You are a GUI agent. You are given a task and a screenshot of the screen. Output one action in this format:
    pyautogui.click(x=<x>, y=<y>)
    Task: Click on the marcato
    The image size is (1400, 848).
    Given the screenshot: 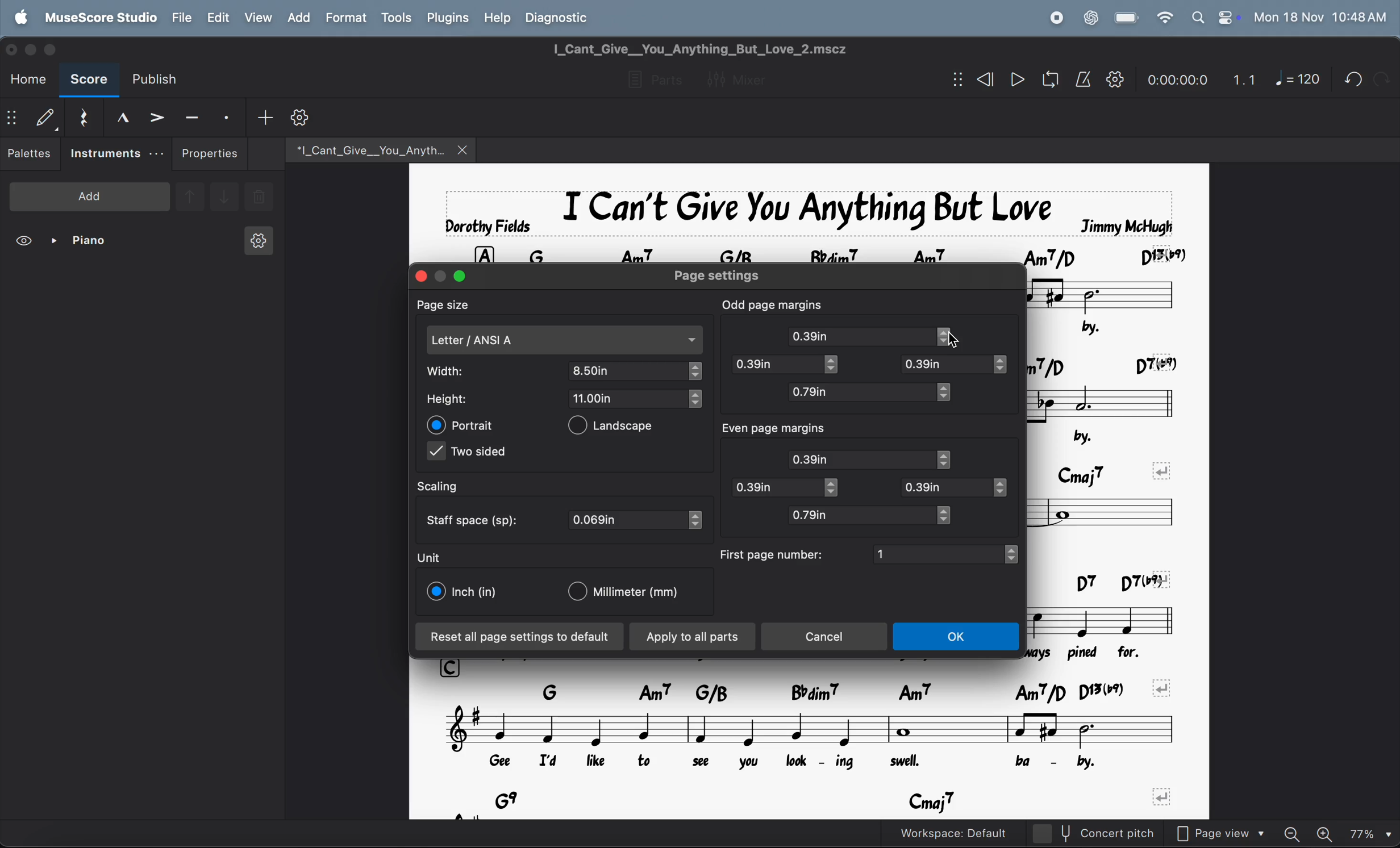 What is the action you would take?
    pyautogui.click(x=118, y=117)
    